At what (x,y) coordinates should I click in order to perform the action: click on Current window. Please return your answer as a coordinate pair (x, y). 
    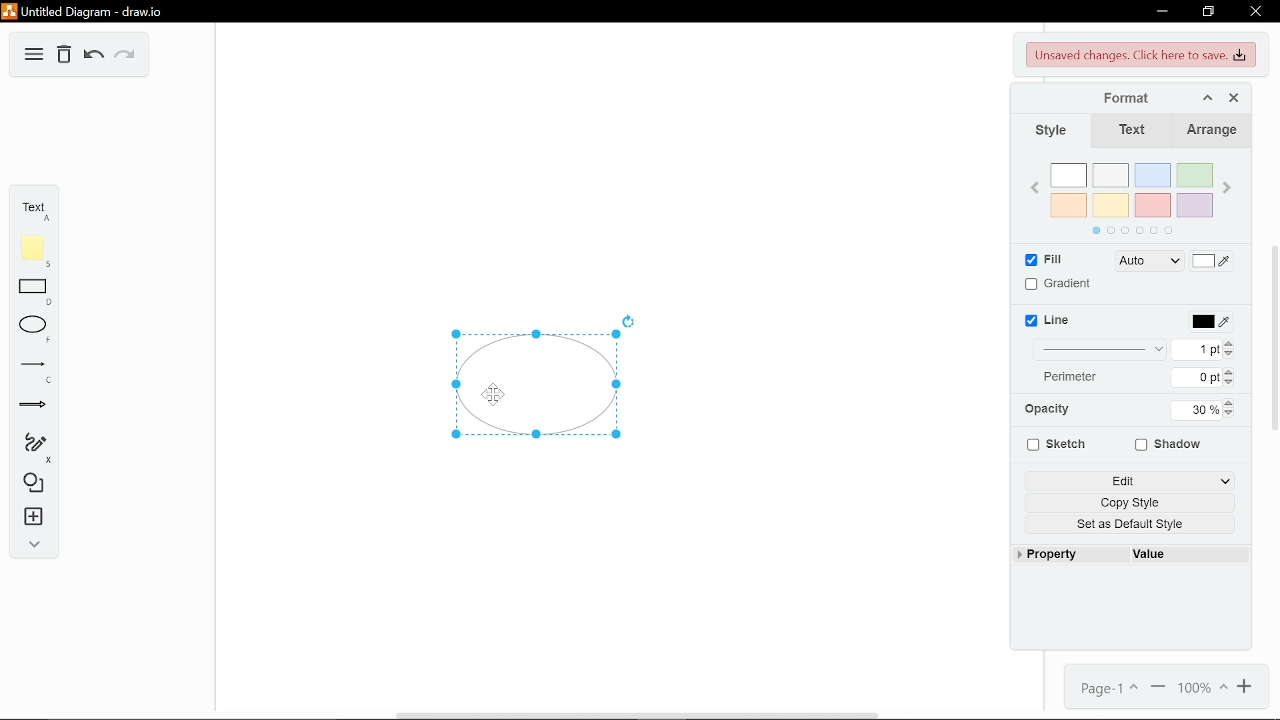
    Looking at the image, I should click on (118, 12).